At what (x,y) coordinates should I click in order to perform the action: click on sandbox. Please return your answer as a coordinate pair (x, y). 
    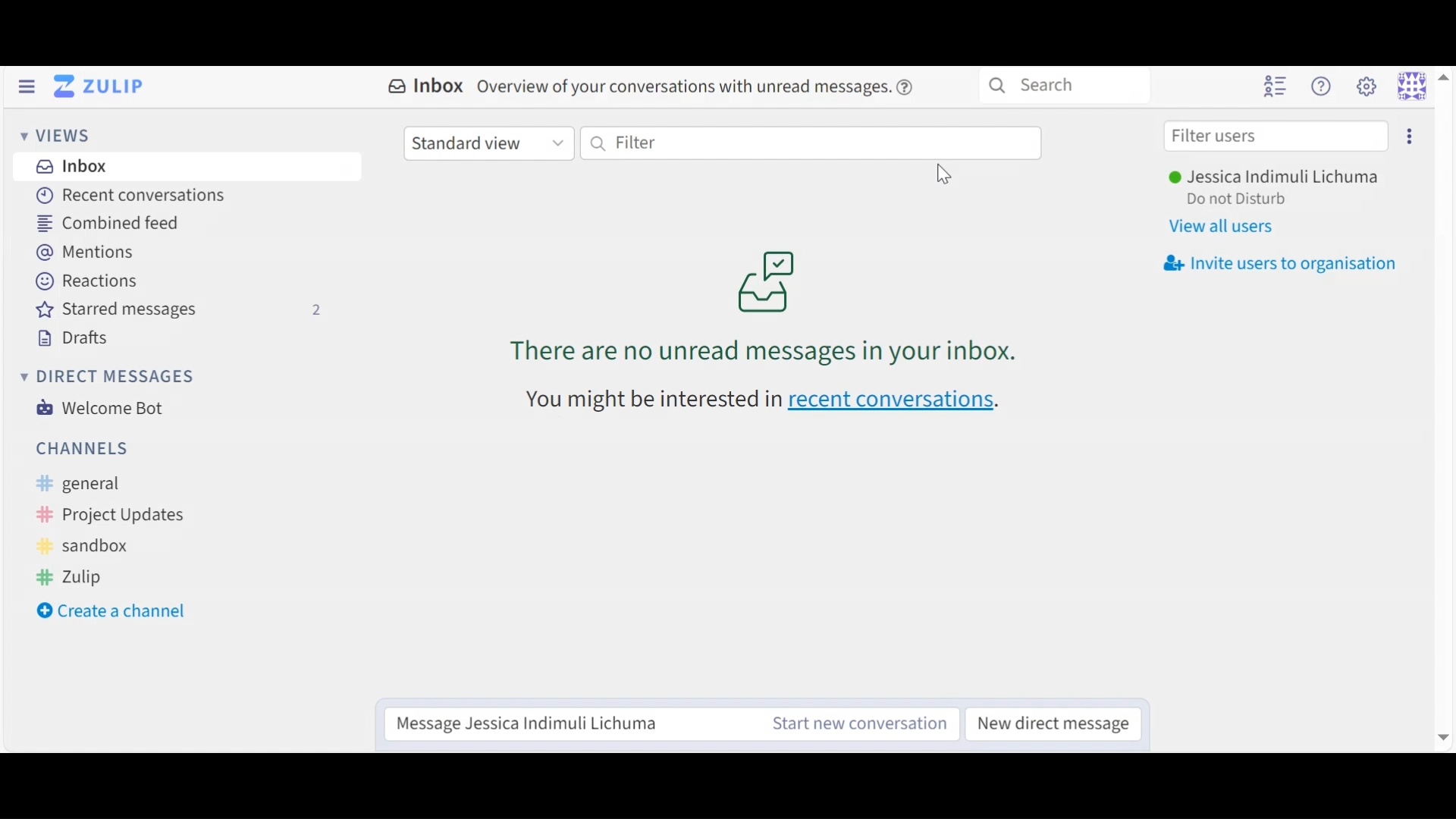
    Looking at the image, I should click on (87, 547).